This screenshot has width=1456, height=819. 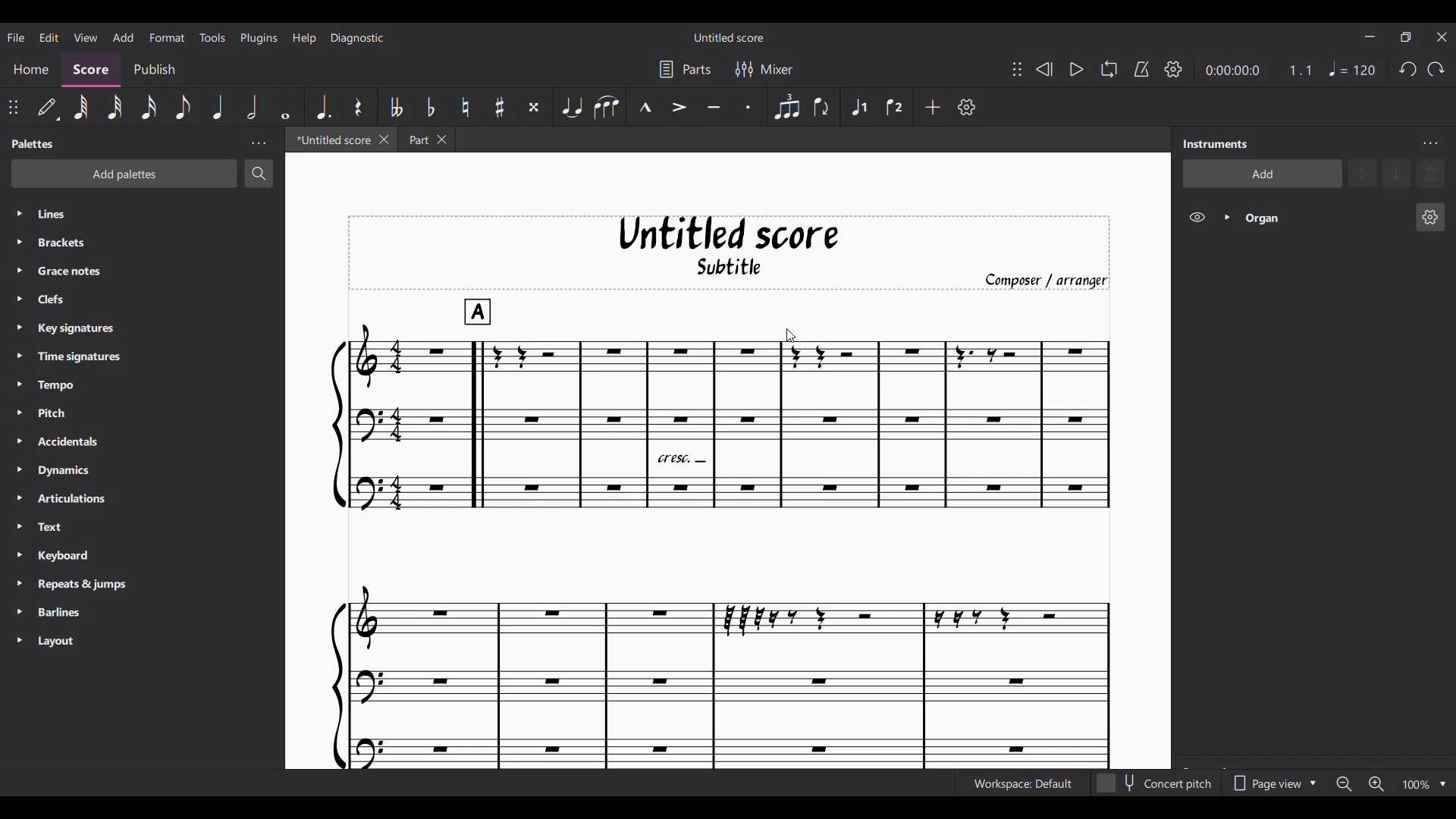 I want to click on 8th note, so click(x=184, y=108).